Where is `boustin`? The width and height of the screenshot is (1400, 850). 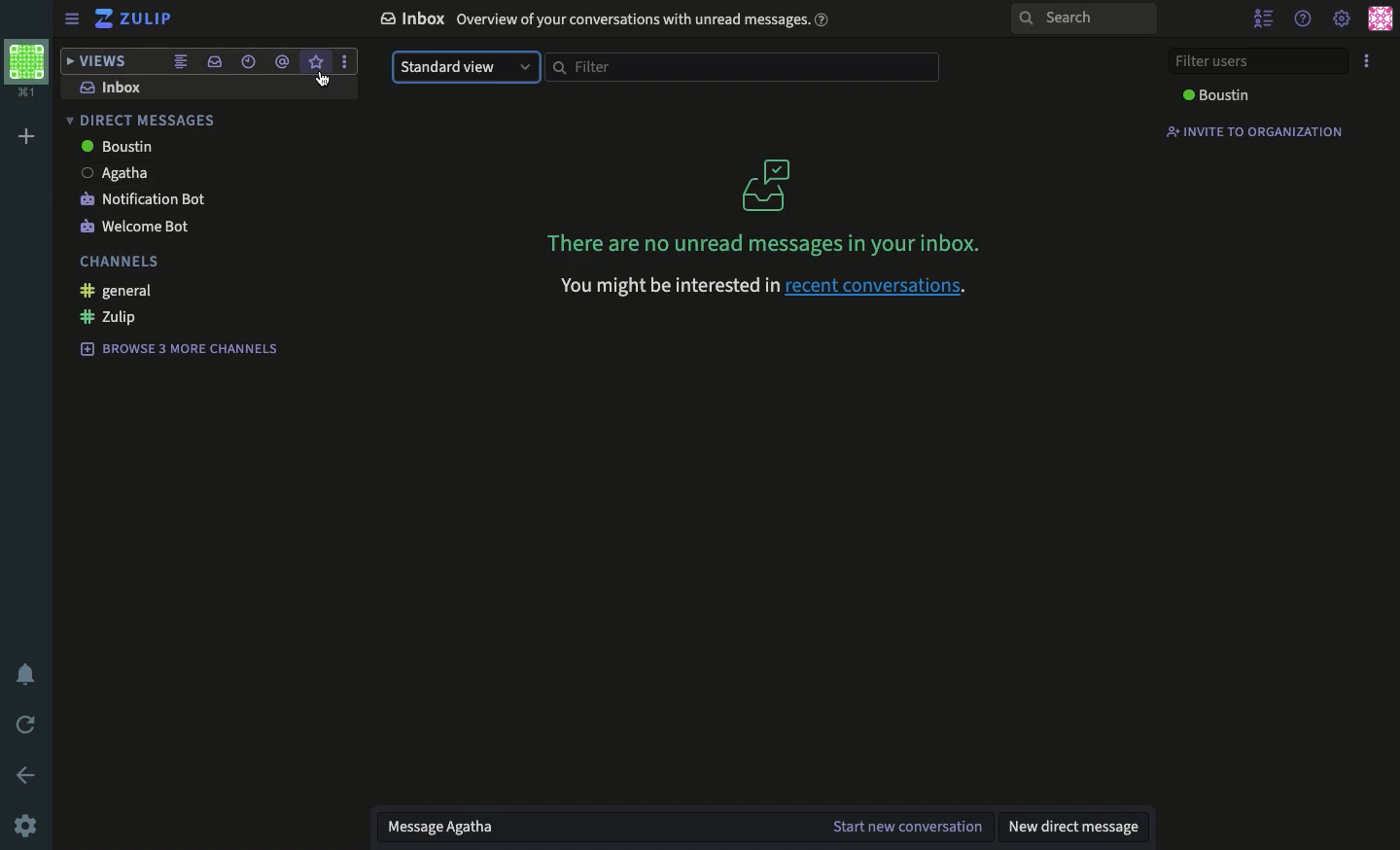 boustin is located at coordinates (109, 147).